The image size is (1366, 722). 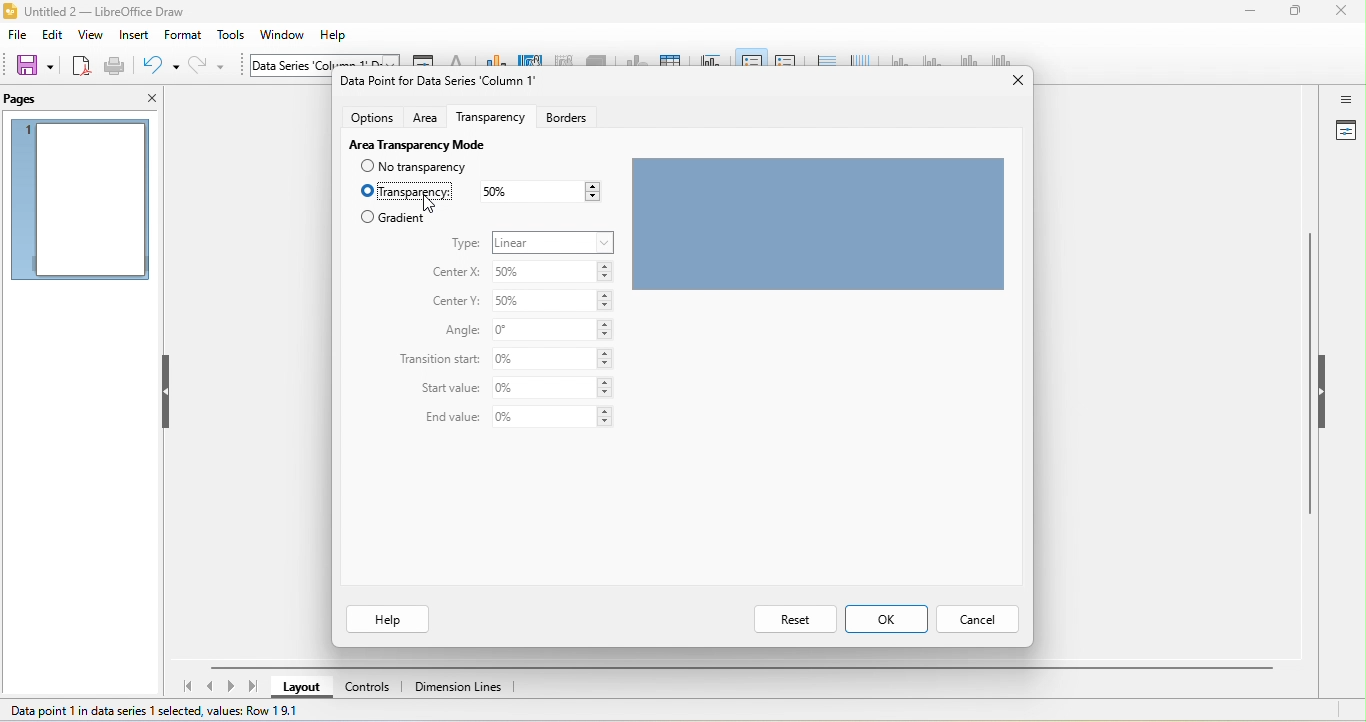 What do you see at coordinates (550, 273) in the screenshot?
I see `center x-50%` at bounding box center [550, 273].